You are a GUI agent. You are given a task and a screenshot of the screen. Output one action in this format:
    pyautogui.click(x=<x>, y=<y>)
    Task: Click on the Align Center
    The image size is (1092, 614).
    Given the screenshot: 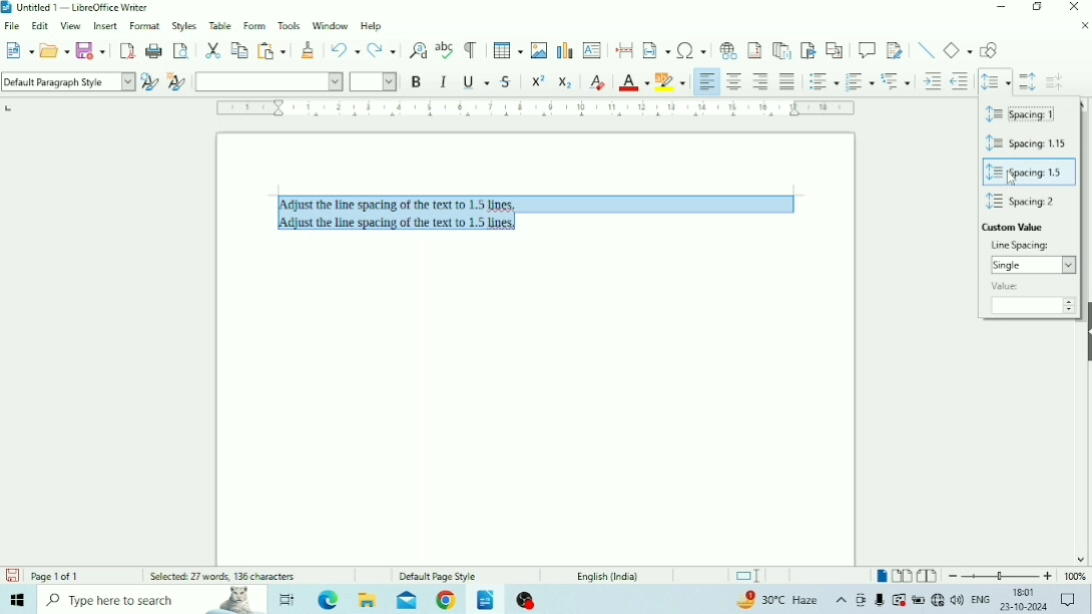 What is the action you would take?
    pyautogui.click(x=734, y=81)
    